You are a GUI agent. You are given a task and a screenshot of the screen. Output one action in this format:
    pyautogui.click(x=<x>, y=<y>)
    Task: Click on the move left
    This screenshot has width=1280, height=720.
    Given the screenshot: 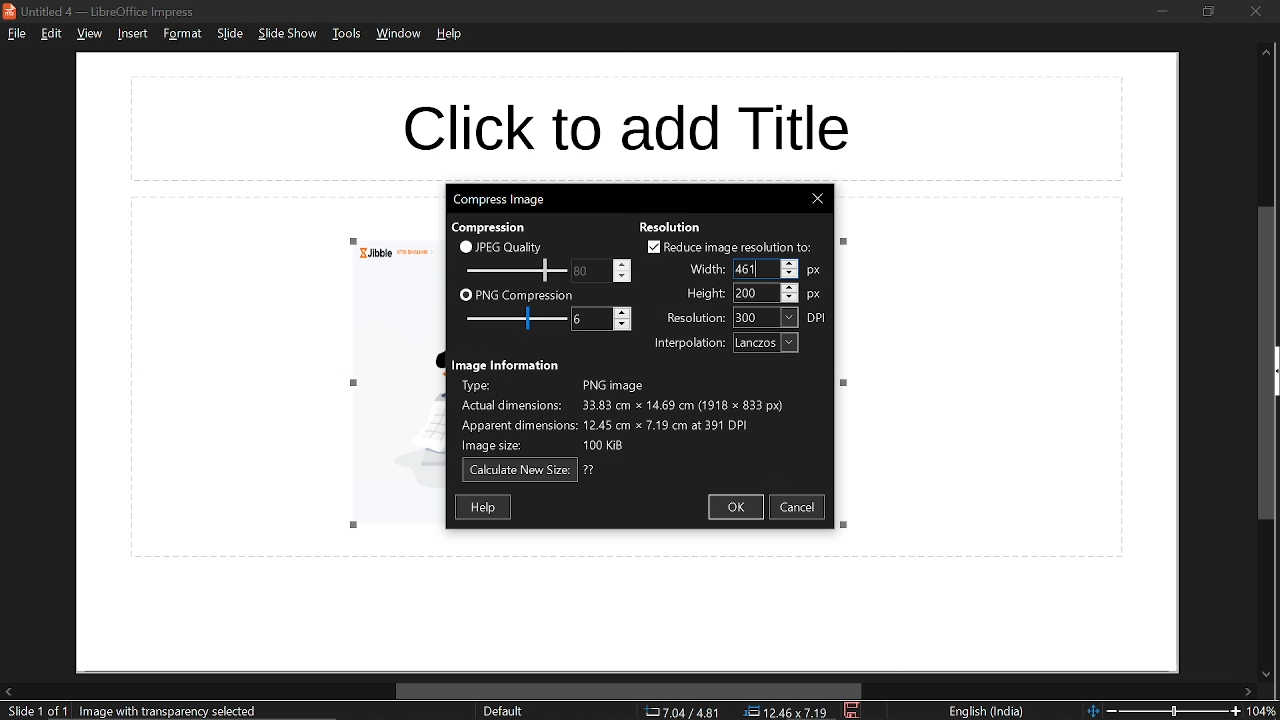 What is the action you would take?
    pyautogui.click(x=8, y=692)
    